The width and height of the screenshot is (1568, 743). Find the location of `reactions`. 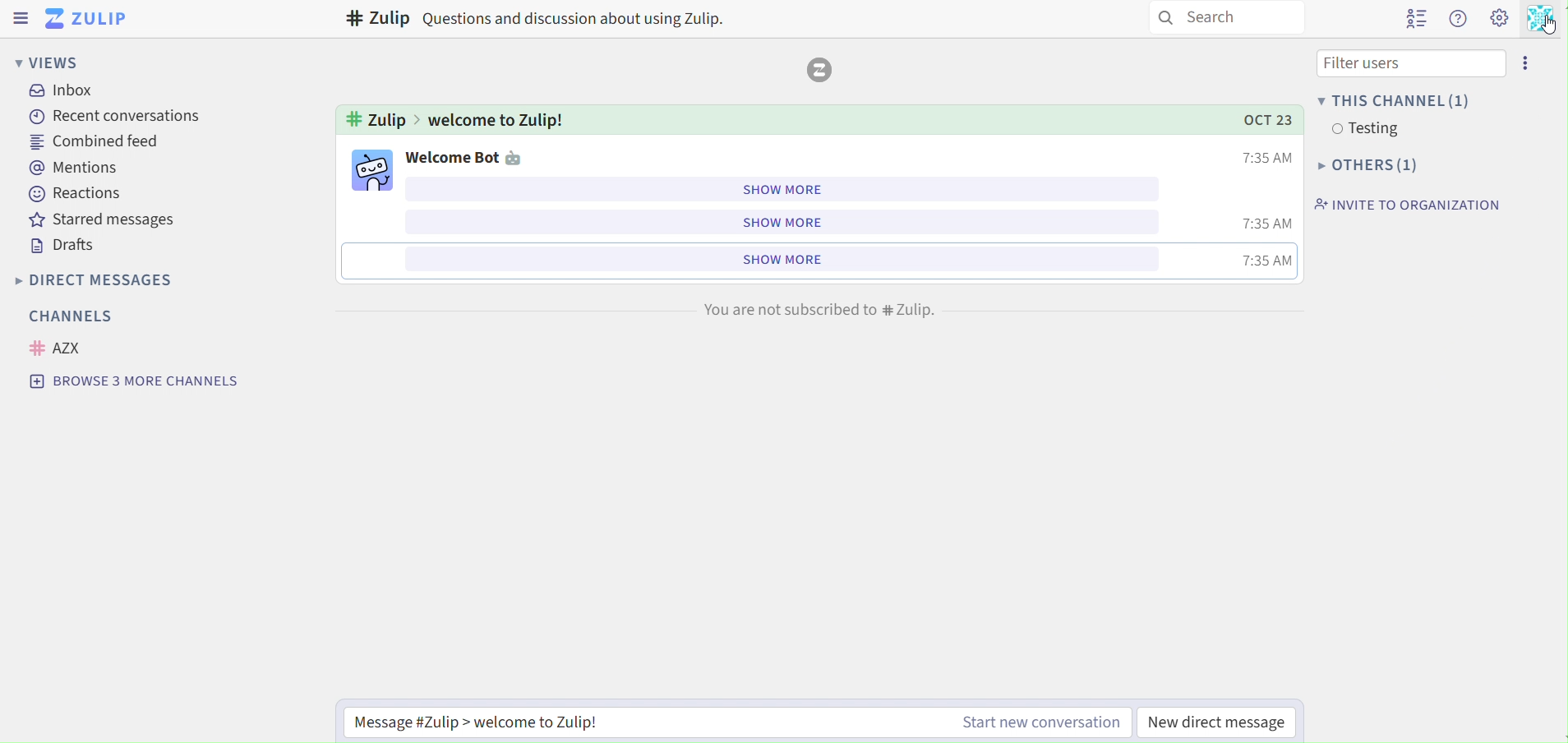

reactions is located at coordinates (78, 192).